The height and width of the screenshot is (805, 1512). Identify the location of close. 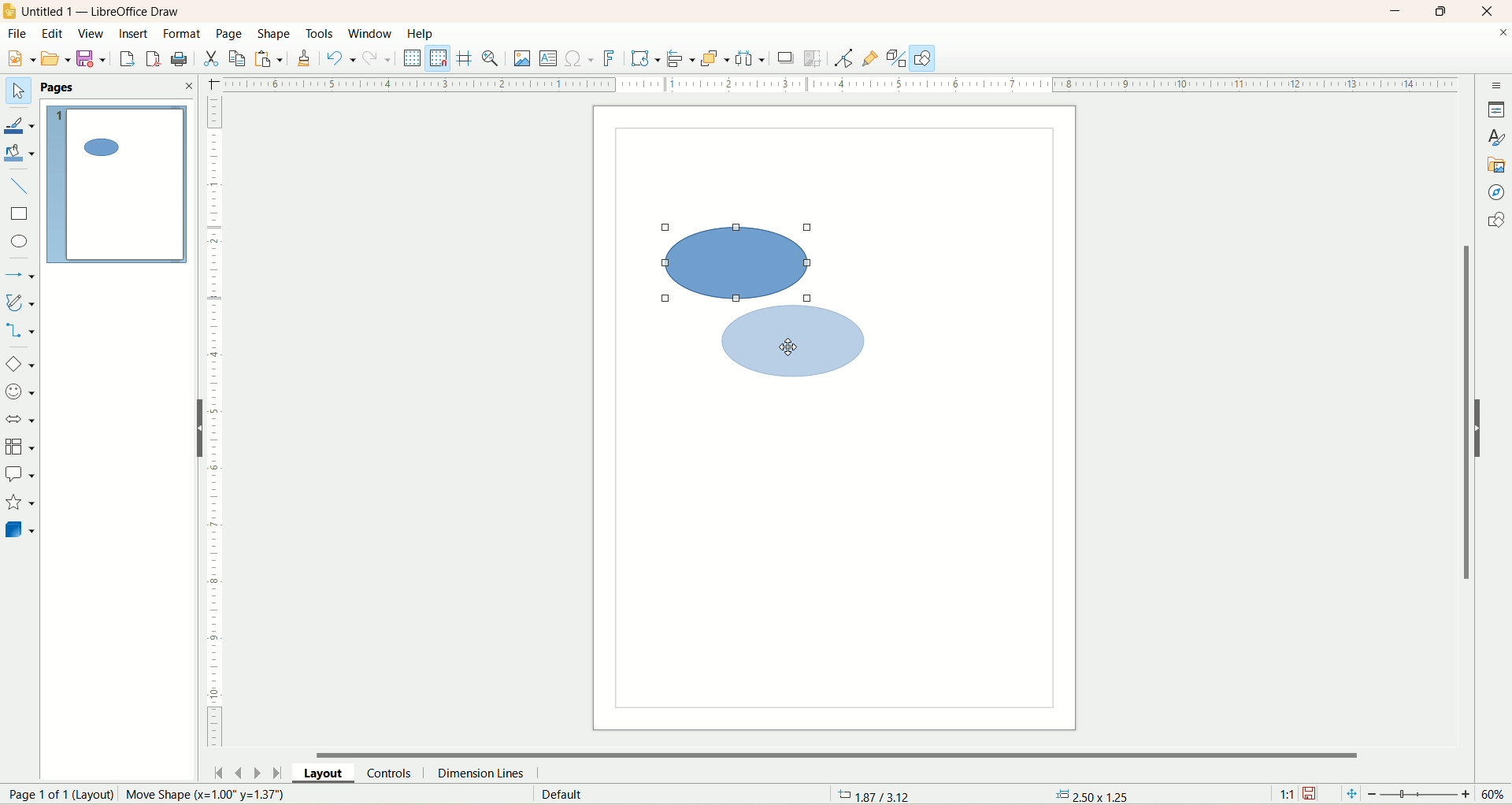
(188, 87).